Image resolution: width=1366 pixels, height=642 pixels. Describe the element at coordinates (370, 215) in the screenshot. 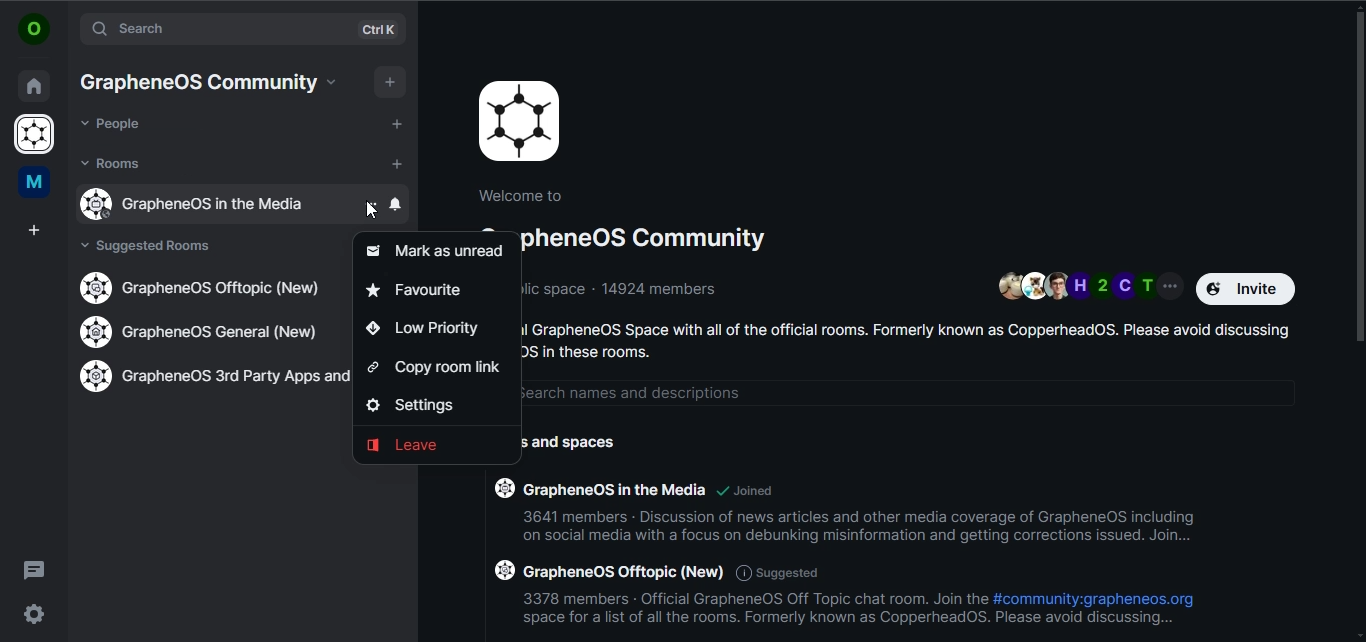

I see `cursor` at that location.